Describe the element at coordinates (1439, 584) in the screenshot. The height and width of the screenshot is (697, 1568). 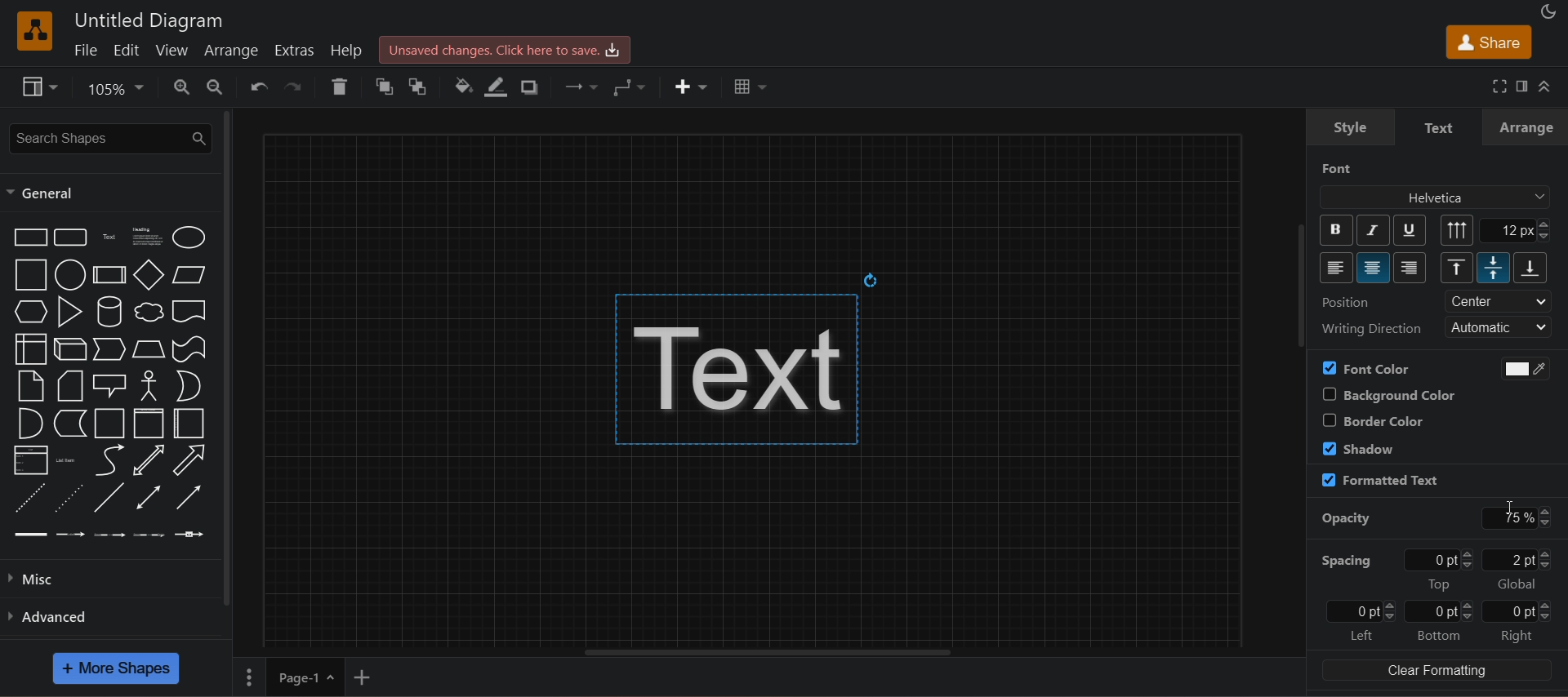
I see `top` at that location.